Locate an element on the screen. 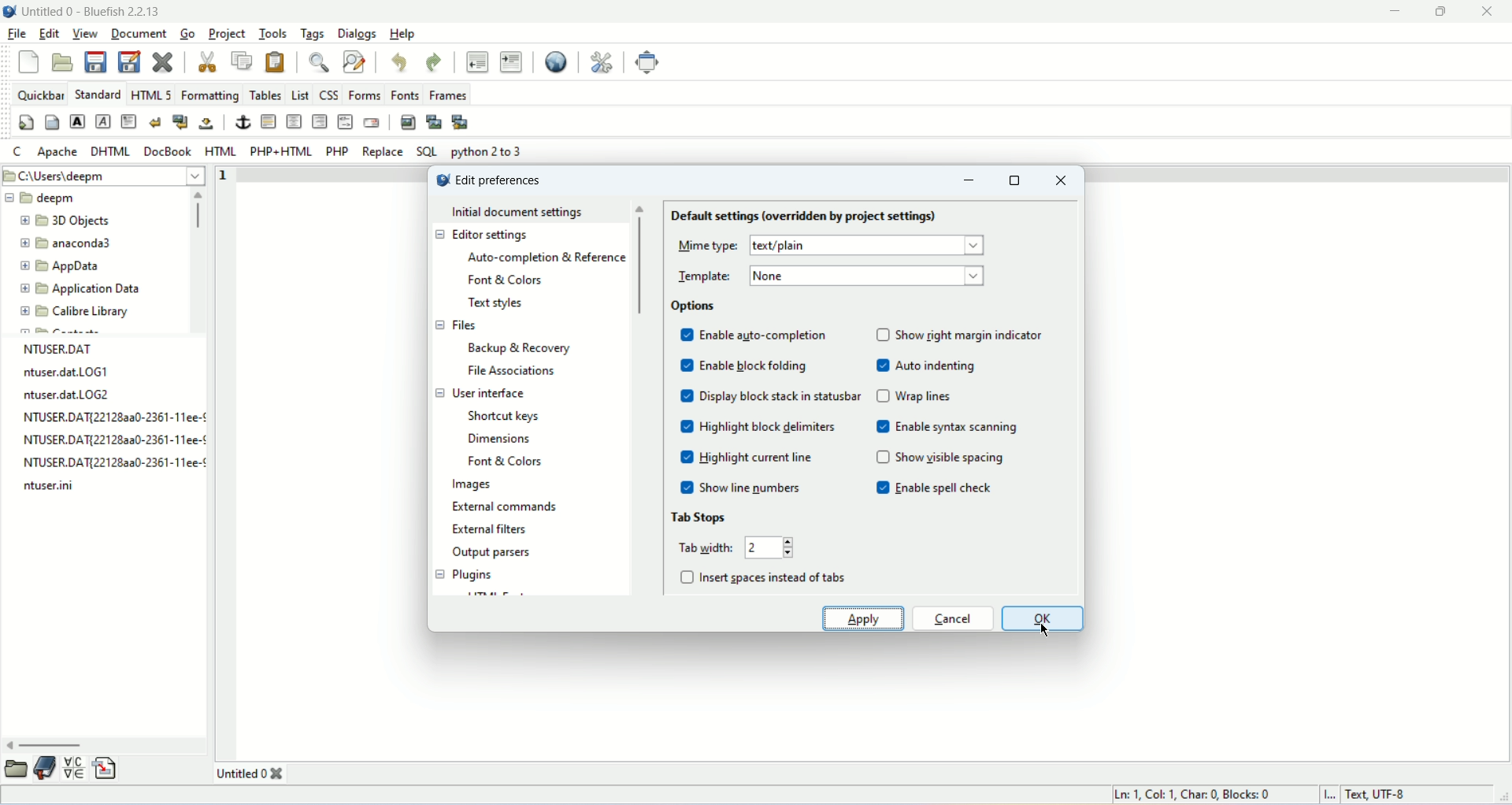 This screenshot has width=1512, height=805. file is located at coordinates (18, 34).